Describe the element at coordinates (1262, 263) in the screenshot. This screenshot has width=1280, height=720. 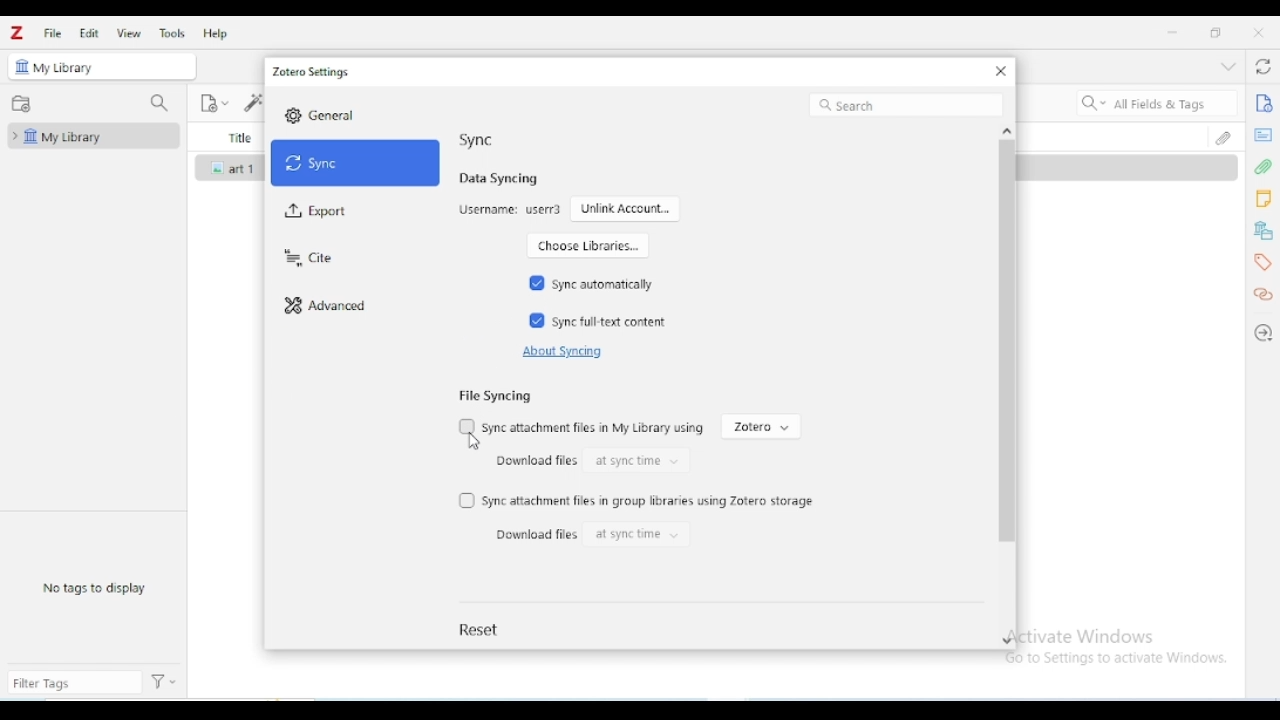
I see `tags` at that location.